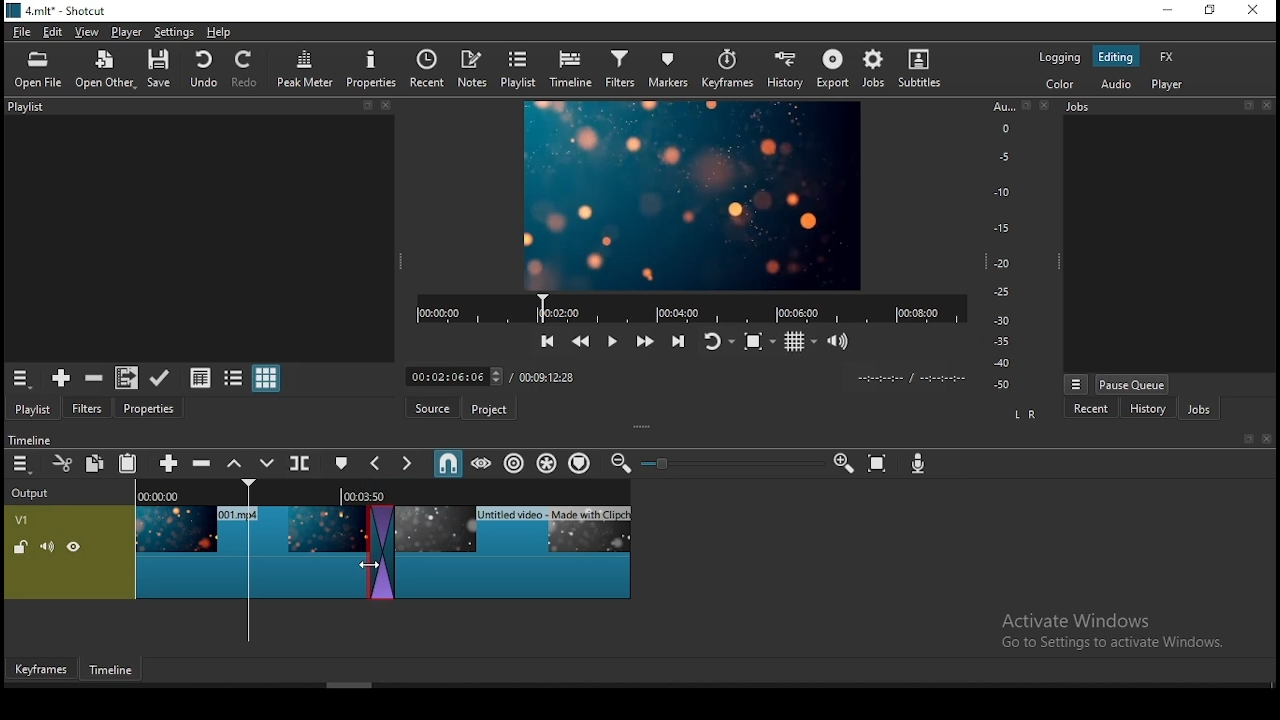 This screenshot has width=1280, height=720. What do you see at coordinates (546, 340) in the screenshot?
I see `skip to the previous point` at bounding box center [546, 340].